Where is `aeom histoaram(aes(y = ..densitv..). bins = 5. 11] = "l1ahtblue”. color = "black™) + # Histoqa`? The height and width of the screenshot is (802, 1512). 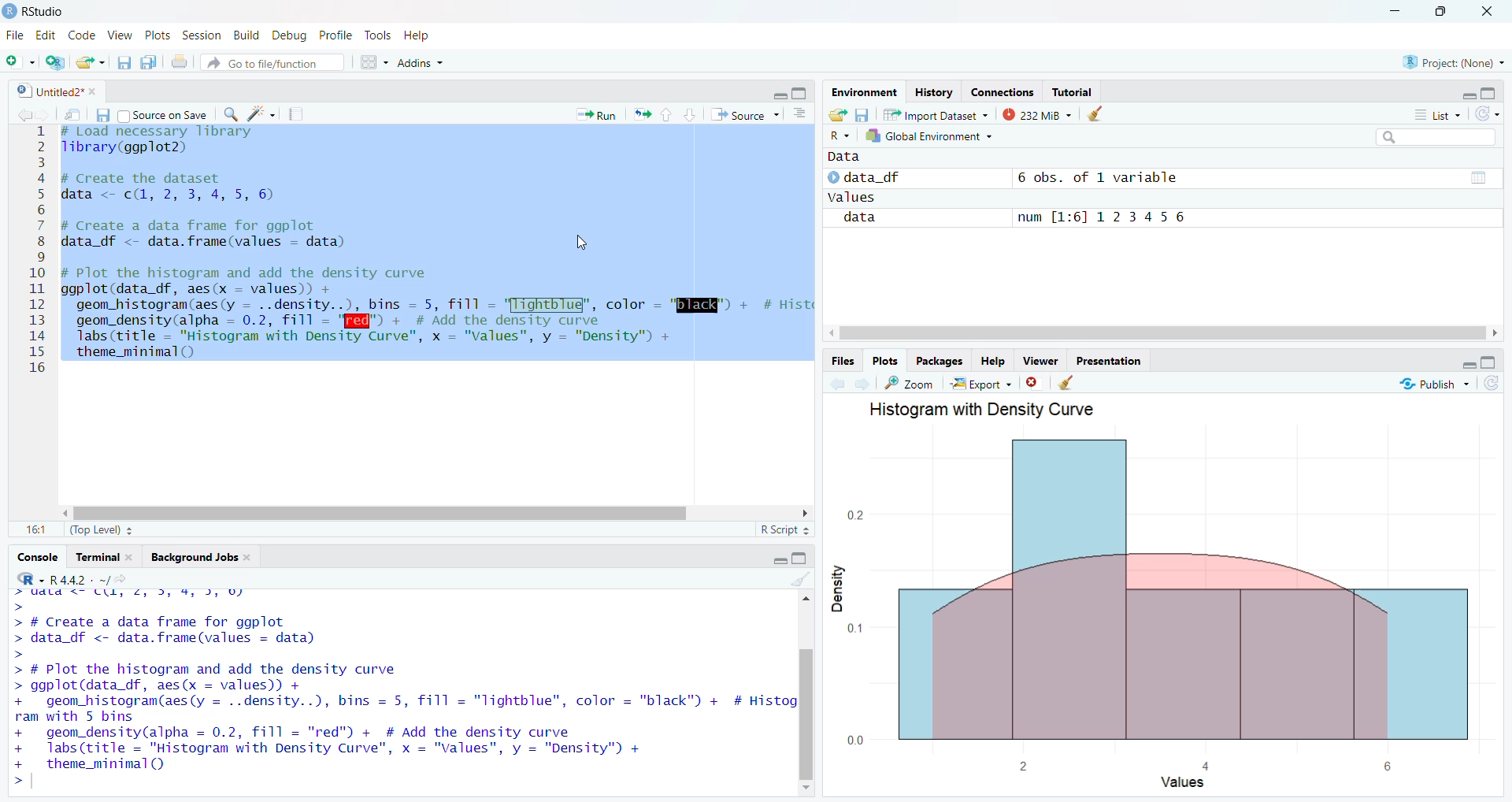
aeom histoaram(aes(y = ..densitv..). bins = 5. 11] = "l1ahtblue”. color = "black™) + # Histoqa is located at coordinates (421, 700).